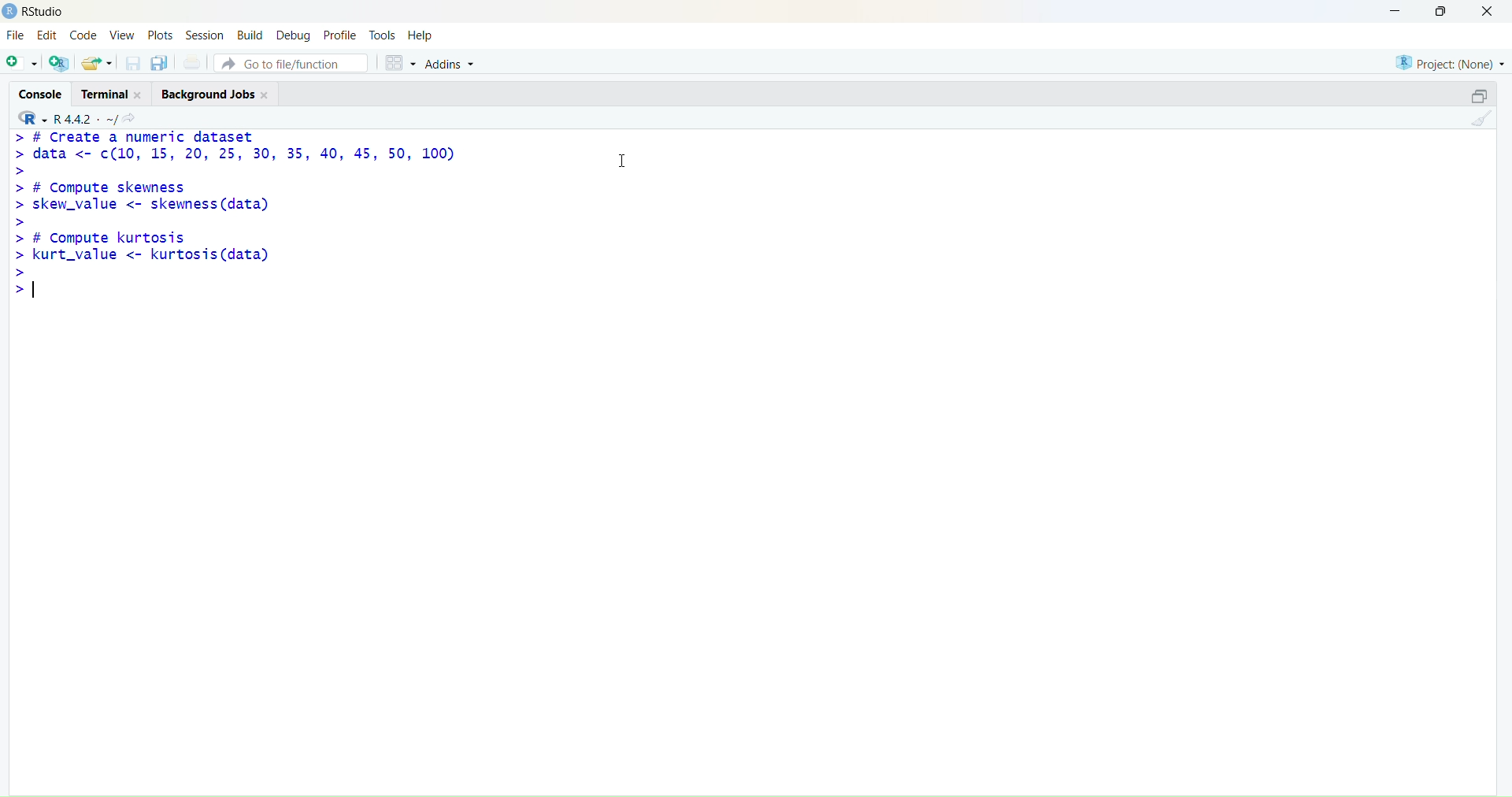 The height and width of the screenshot is (797, 1512). What do you see at coordinates (1397, 12) in the screenshot?
I see `Minimize` at bounding box center [1397, 12].